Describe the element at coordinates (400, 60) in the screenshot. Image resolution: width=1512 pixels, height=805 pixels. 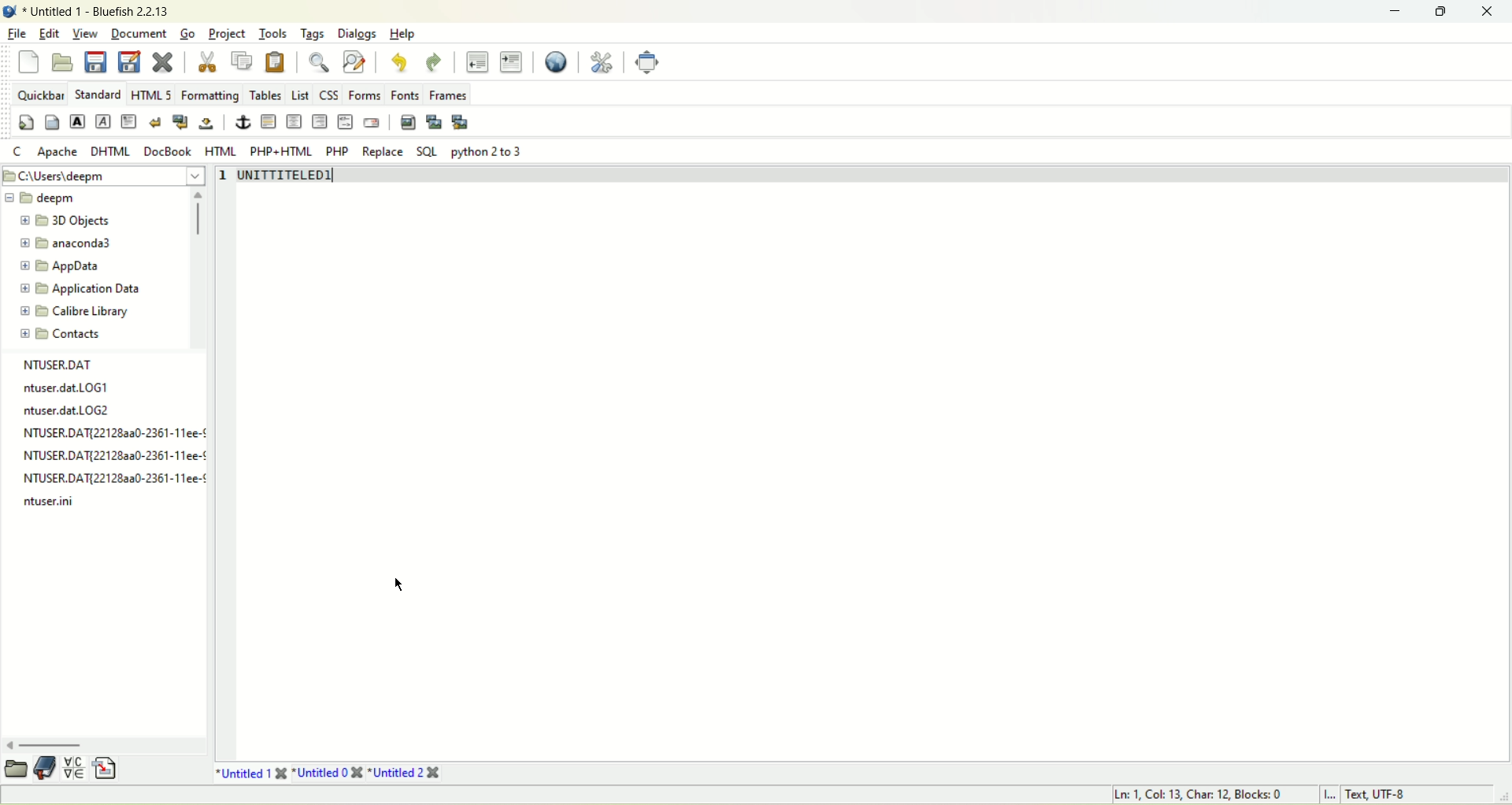
I see `undo` at that location.